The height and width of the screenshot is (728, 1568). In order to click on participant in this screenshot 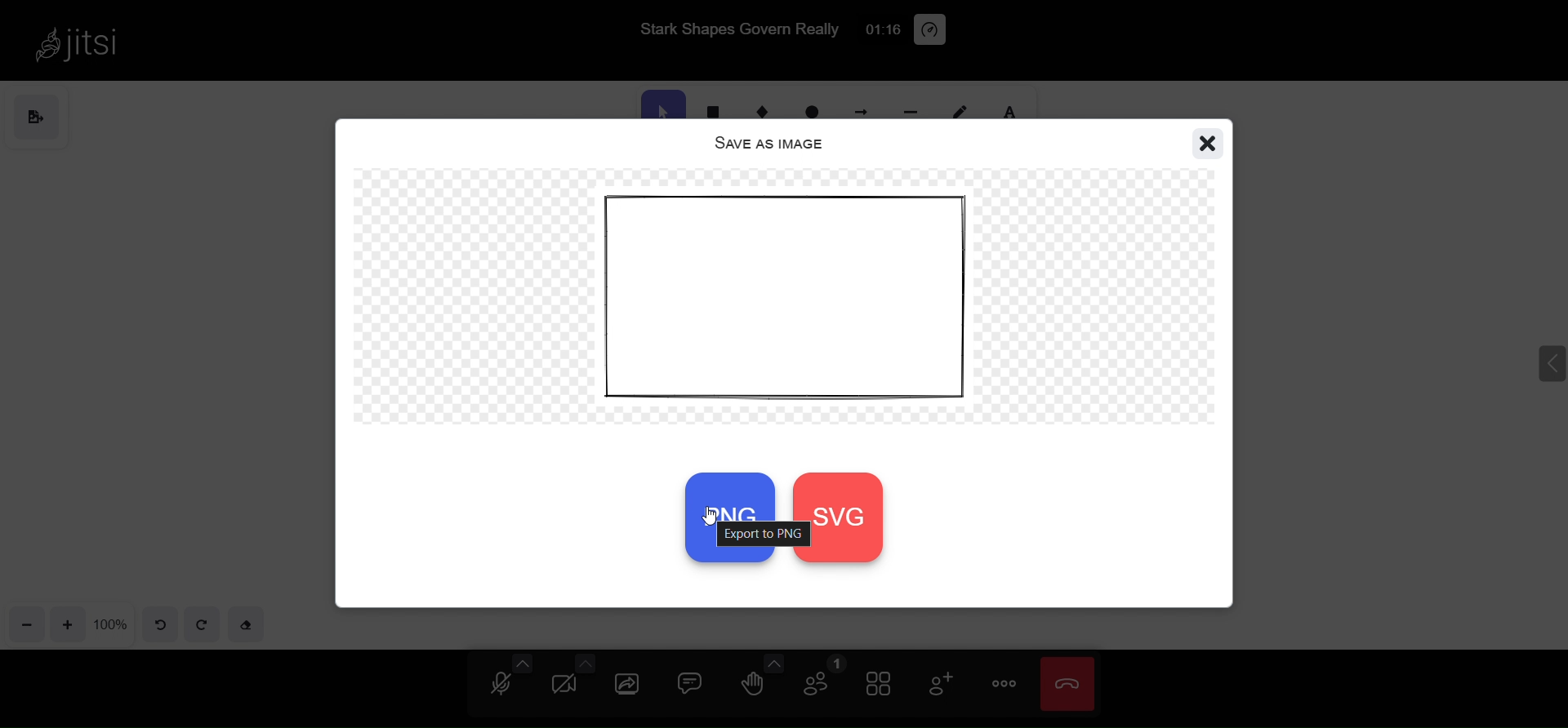, I will do `click(820, 680)`.